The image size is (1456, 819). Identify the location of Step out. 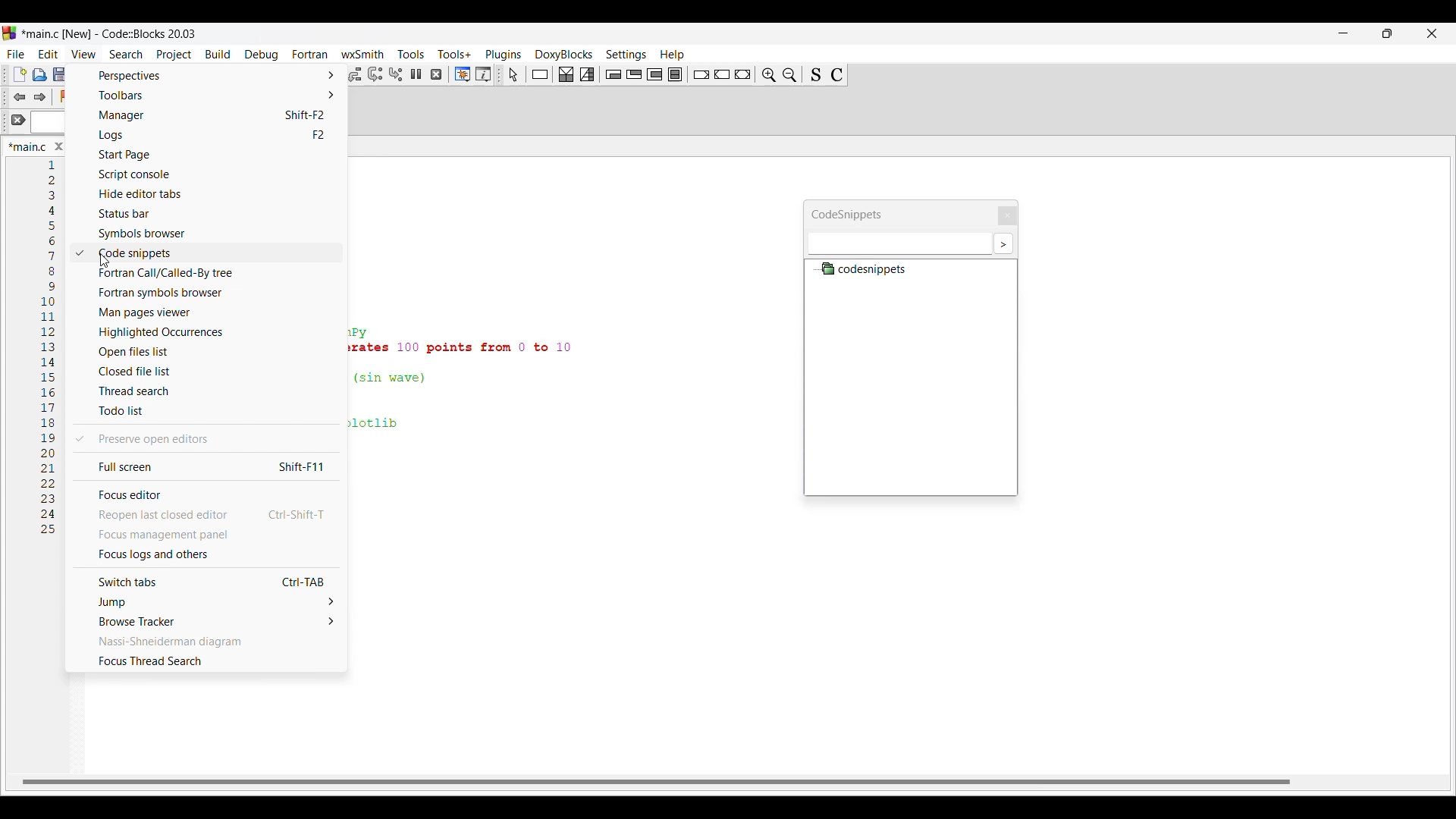
(353, 74).